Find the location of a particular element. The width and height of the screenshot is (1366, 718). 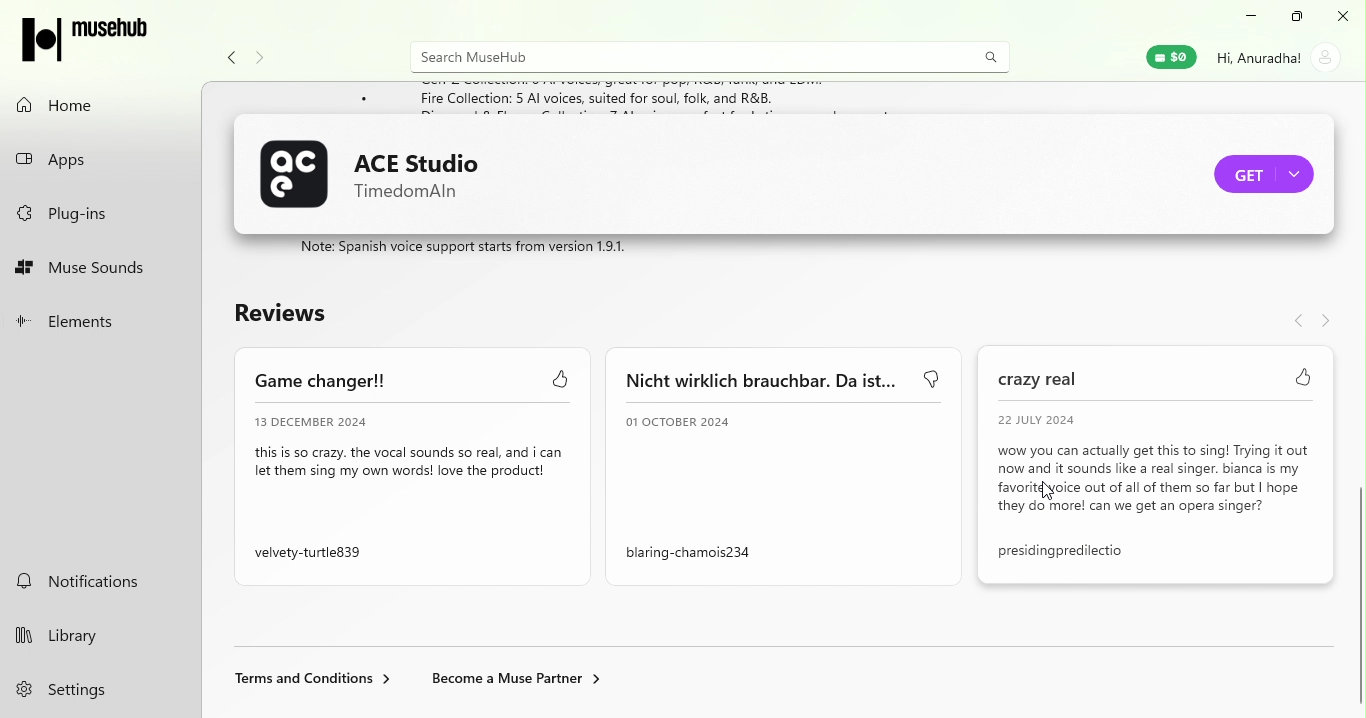

cursor is located at coordinates (1351, 701).